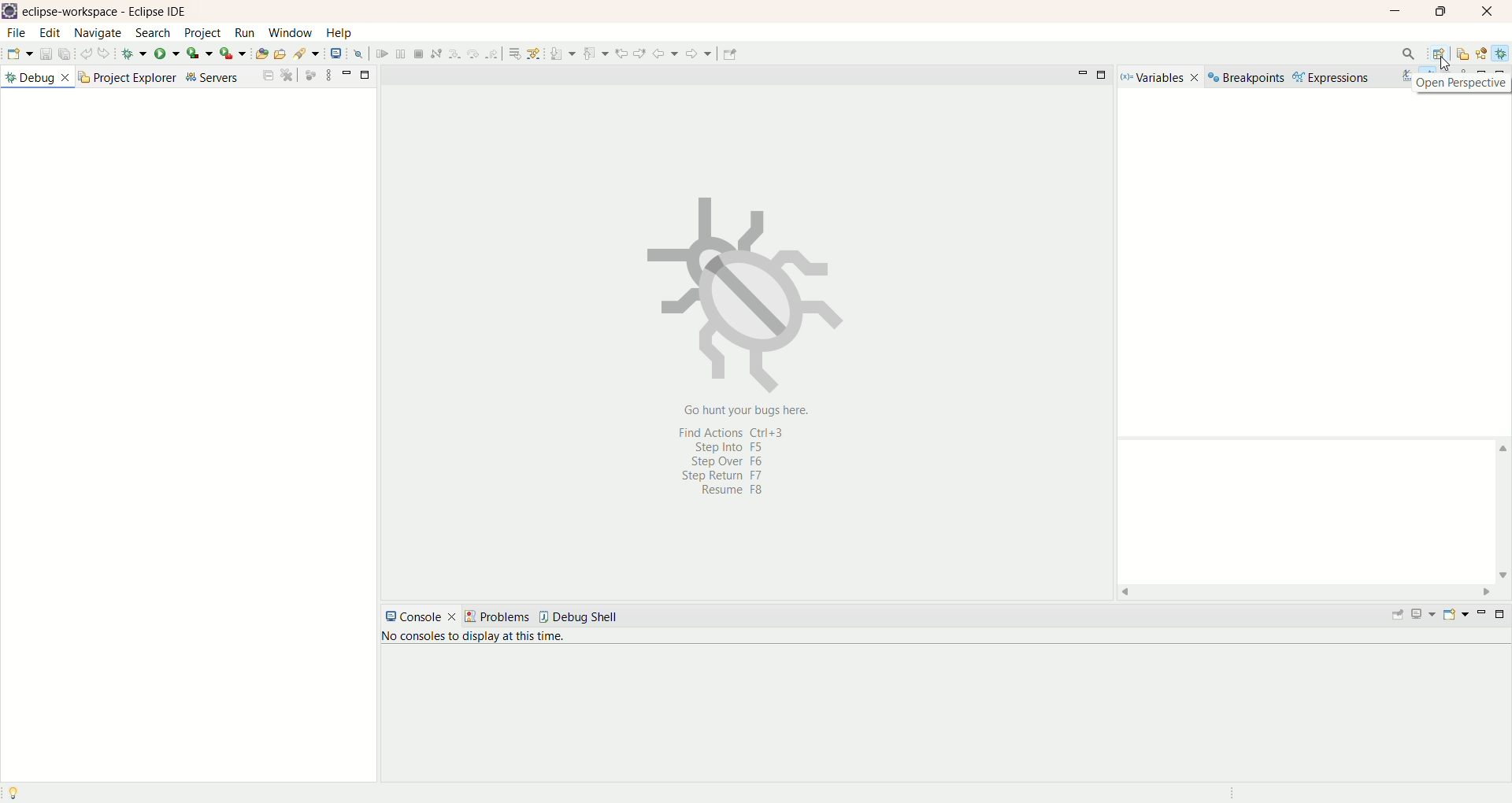 This screenshot has height=803, width=1512. Describe the element at coordinates (17, 33) in the screenshot. I see `file` at that location.